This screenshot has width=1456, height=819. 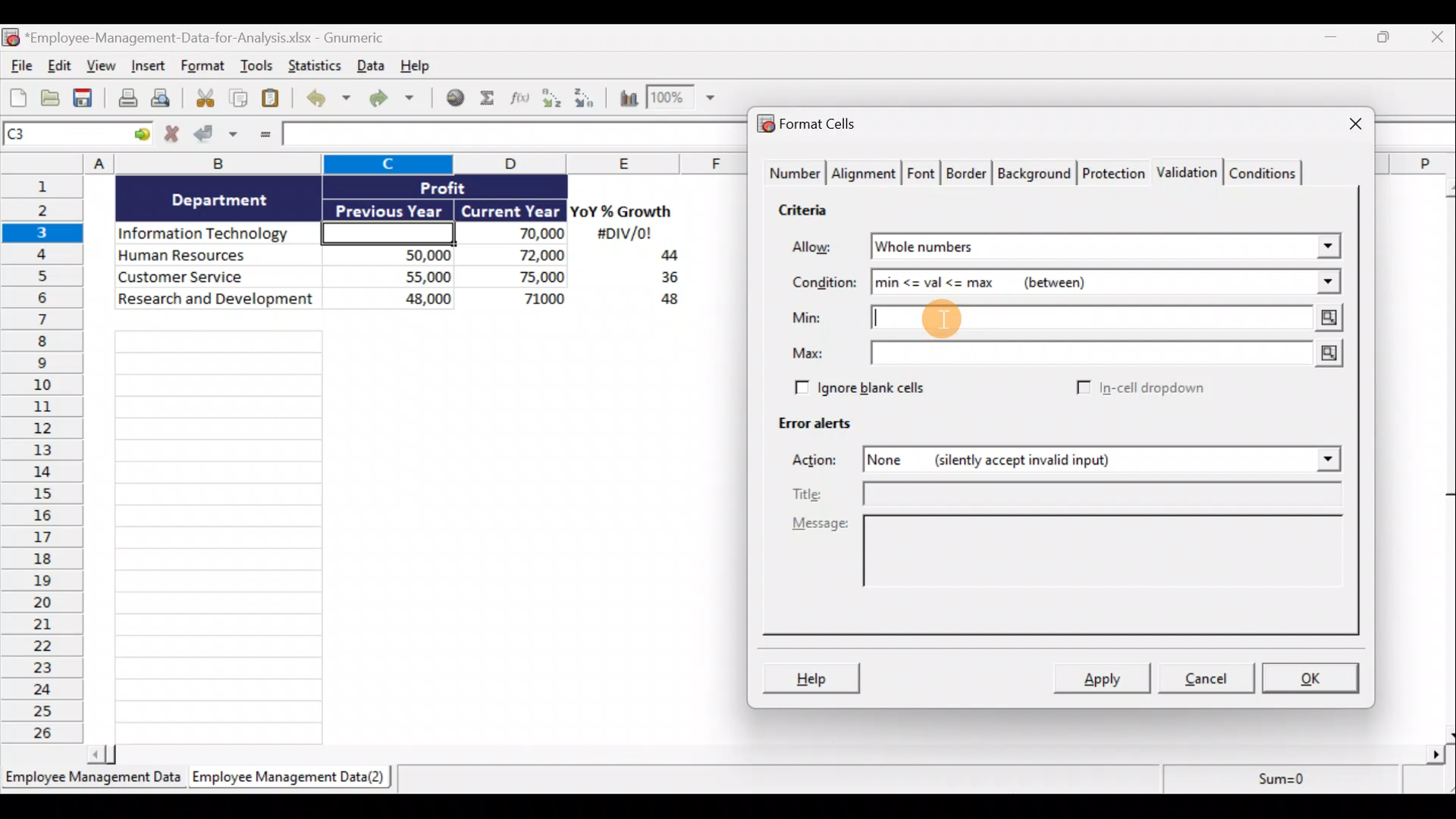 I want to click on Format, so click(x=203, y=68).